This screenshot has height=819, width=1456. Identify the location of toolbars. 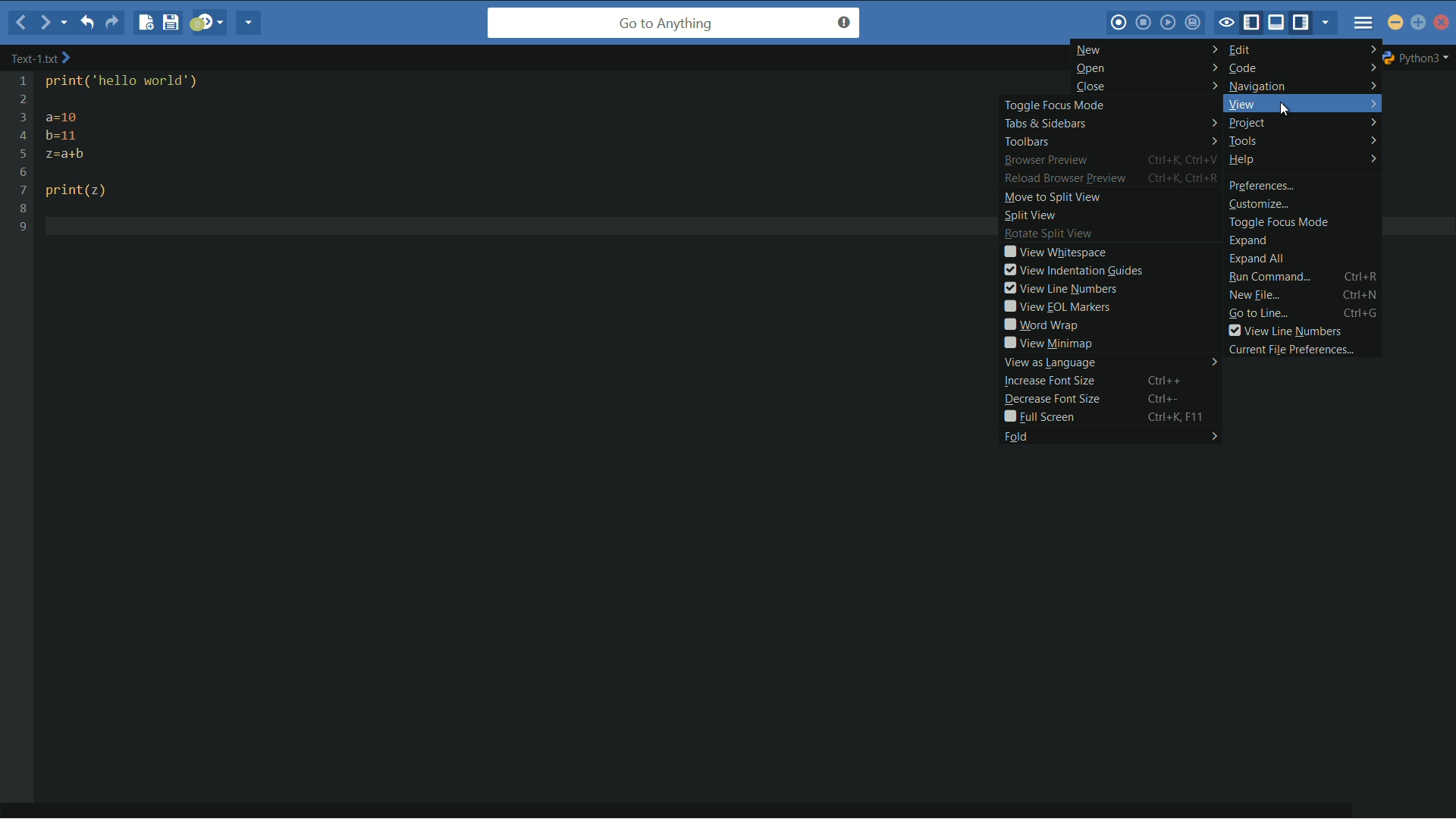
(1111, 142).